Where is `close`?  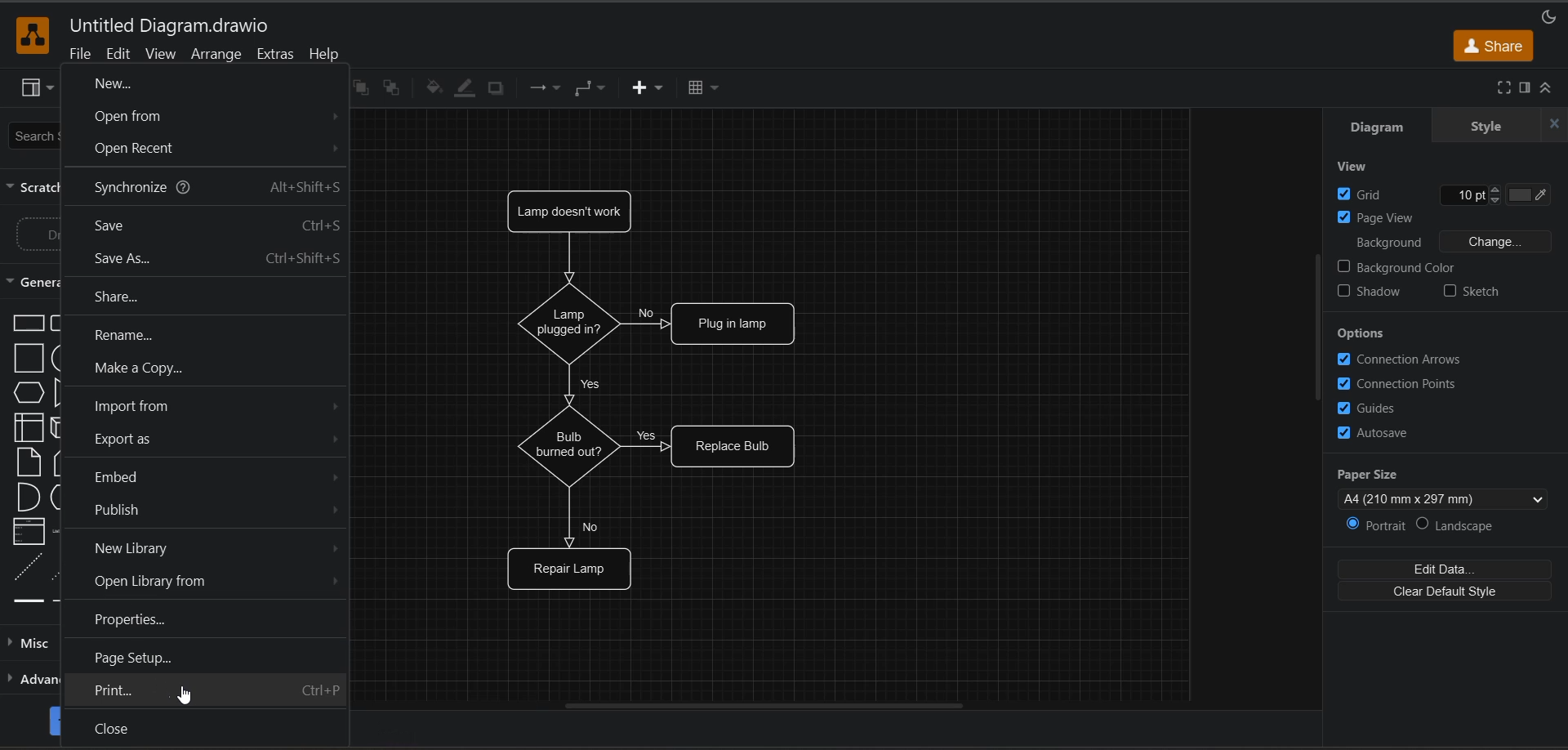 close is located at coordinates (115, 728).